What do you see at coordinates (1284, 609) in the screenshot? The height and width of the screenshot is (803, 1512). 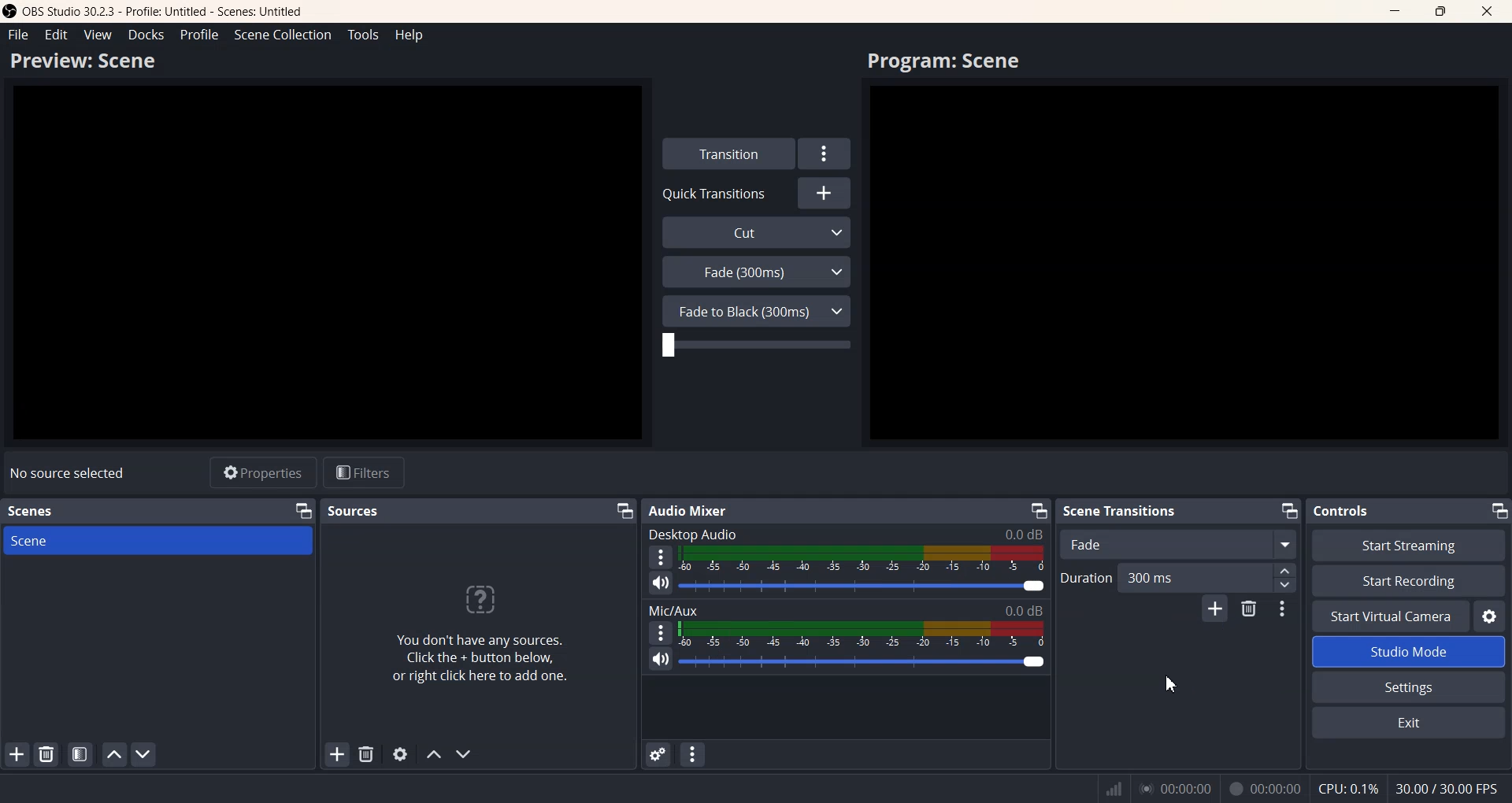 I see `Transition properties` at bounding box center [1284, 609].